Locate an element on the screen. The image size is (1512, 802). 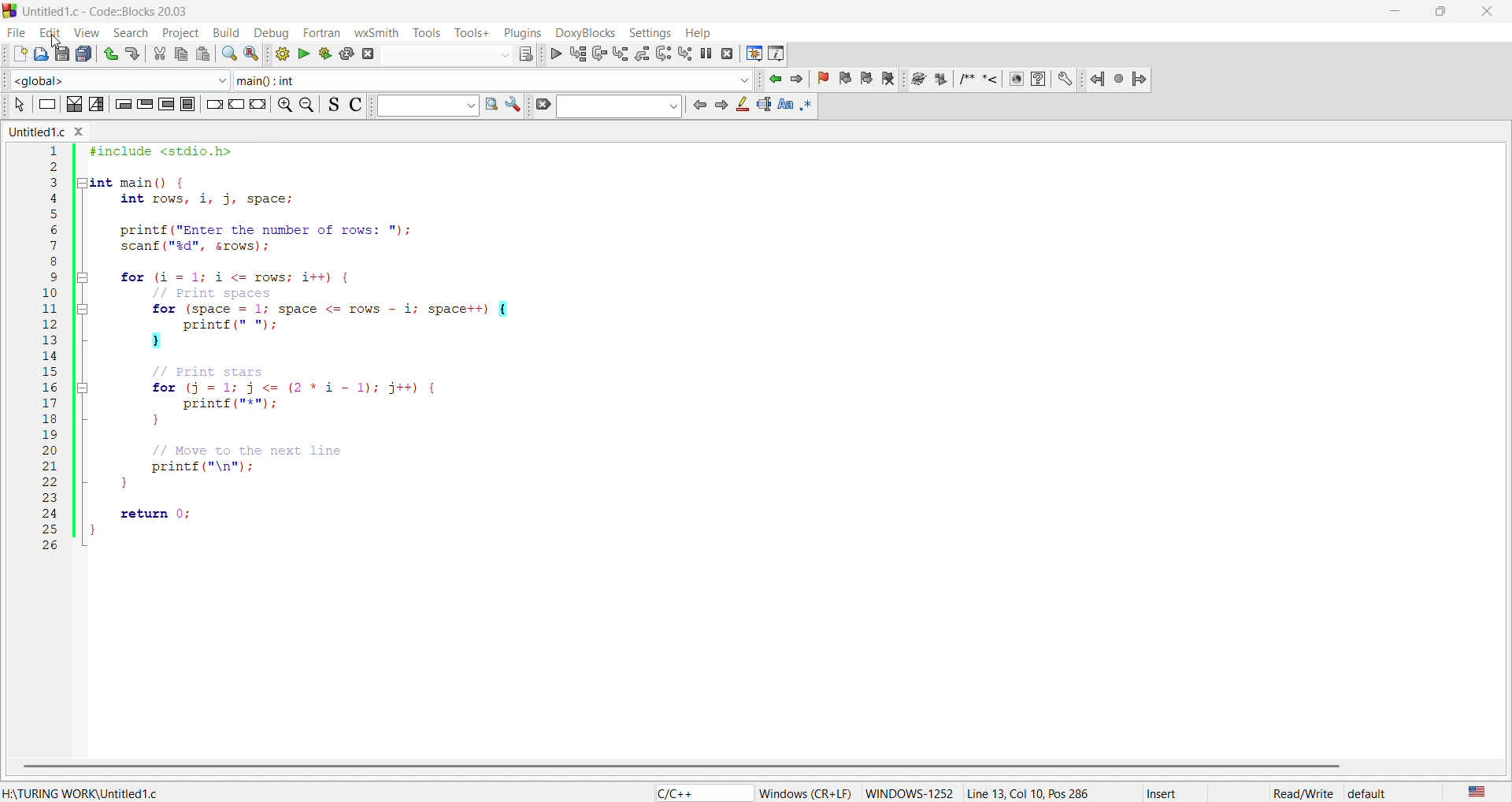
debugging window is located at coordinates (754, 53).